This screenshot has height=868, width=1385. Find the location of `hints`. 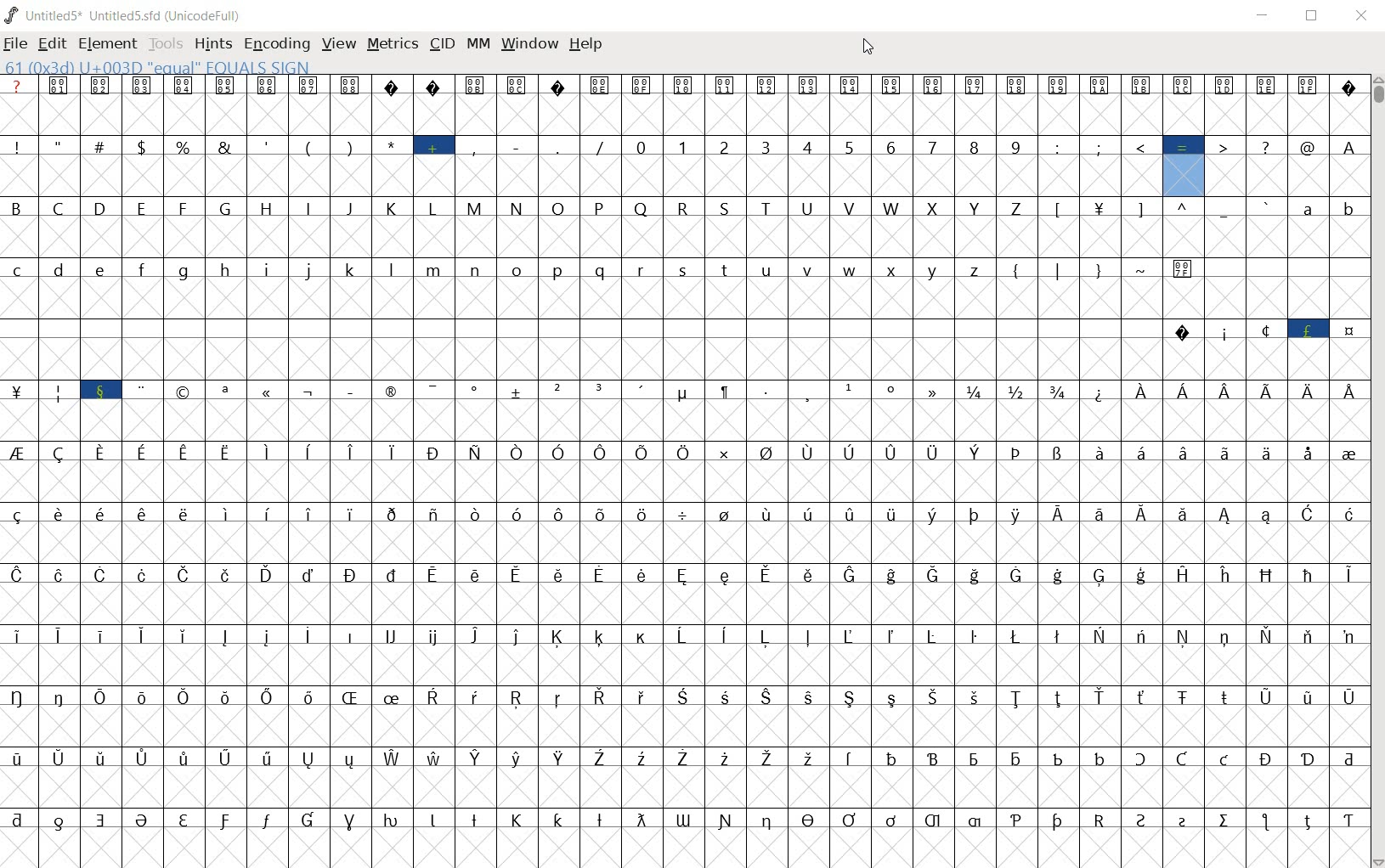

hints is located at coordinates (212, 44).